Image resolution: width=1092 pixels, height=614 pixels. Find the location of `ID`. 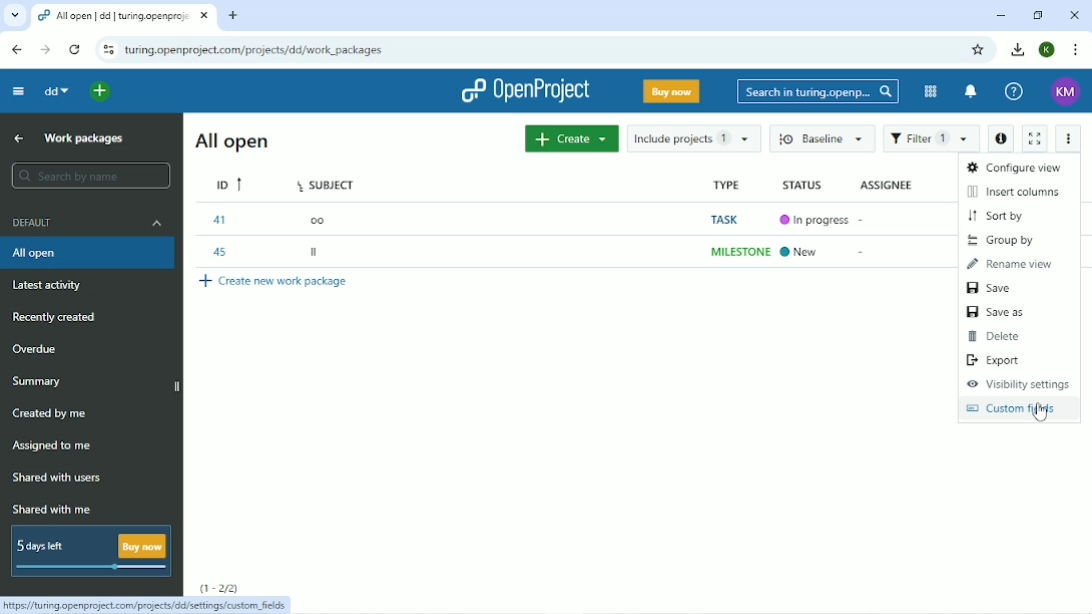

ID is located at coordinates (231, 219).